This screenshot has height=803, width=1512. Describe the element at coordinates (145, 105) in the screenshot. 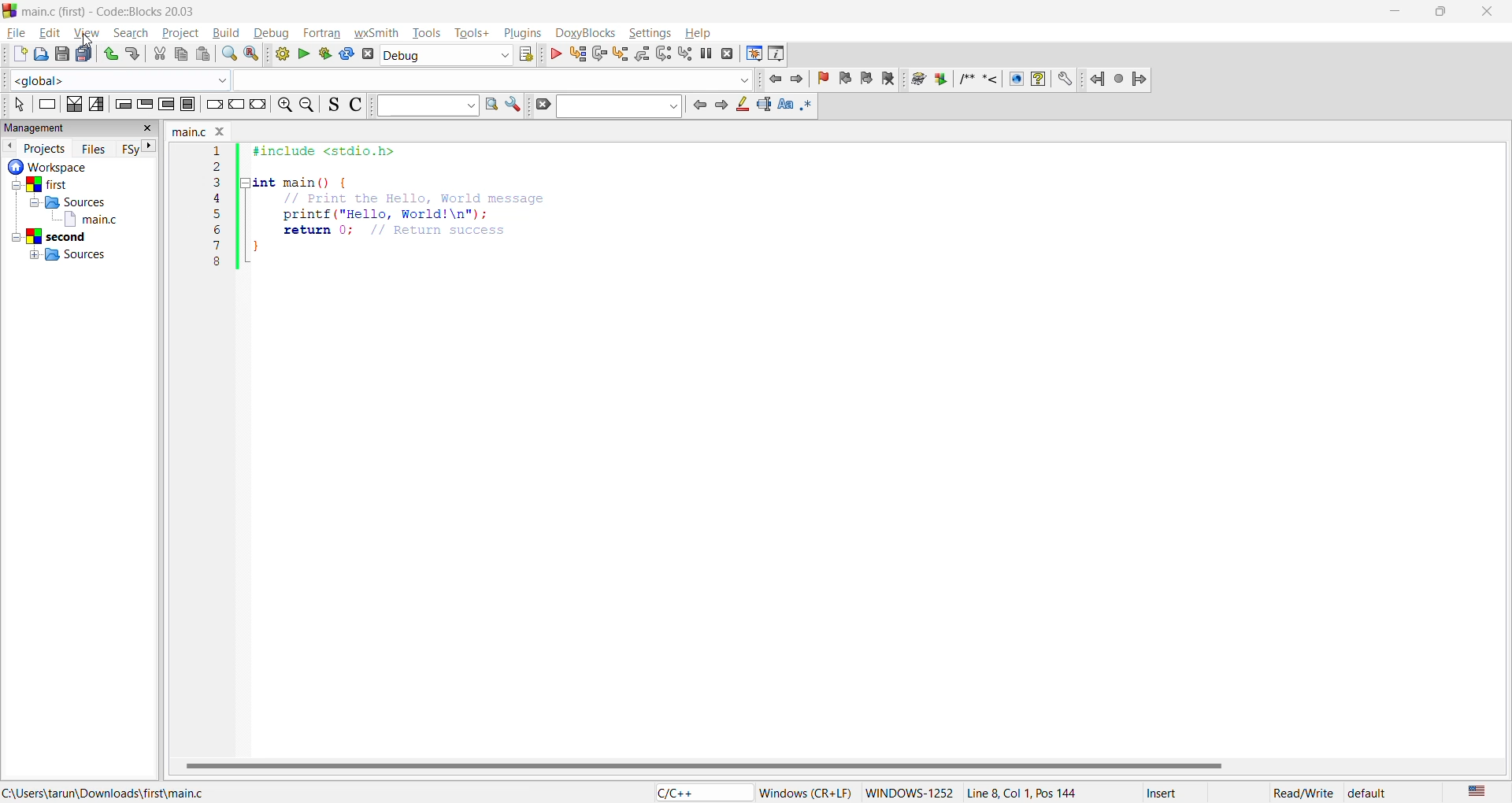

I see `exit condition loop` at that location.